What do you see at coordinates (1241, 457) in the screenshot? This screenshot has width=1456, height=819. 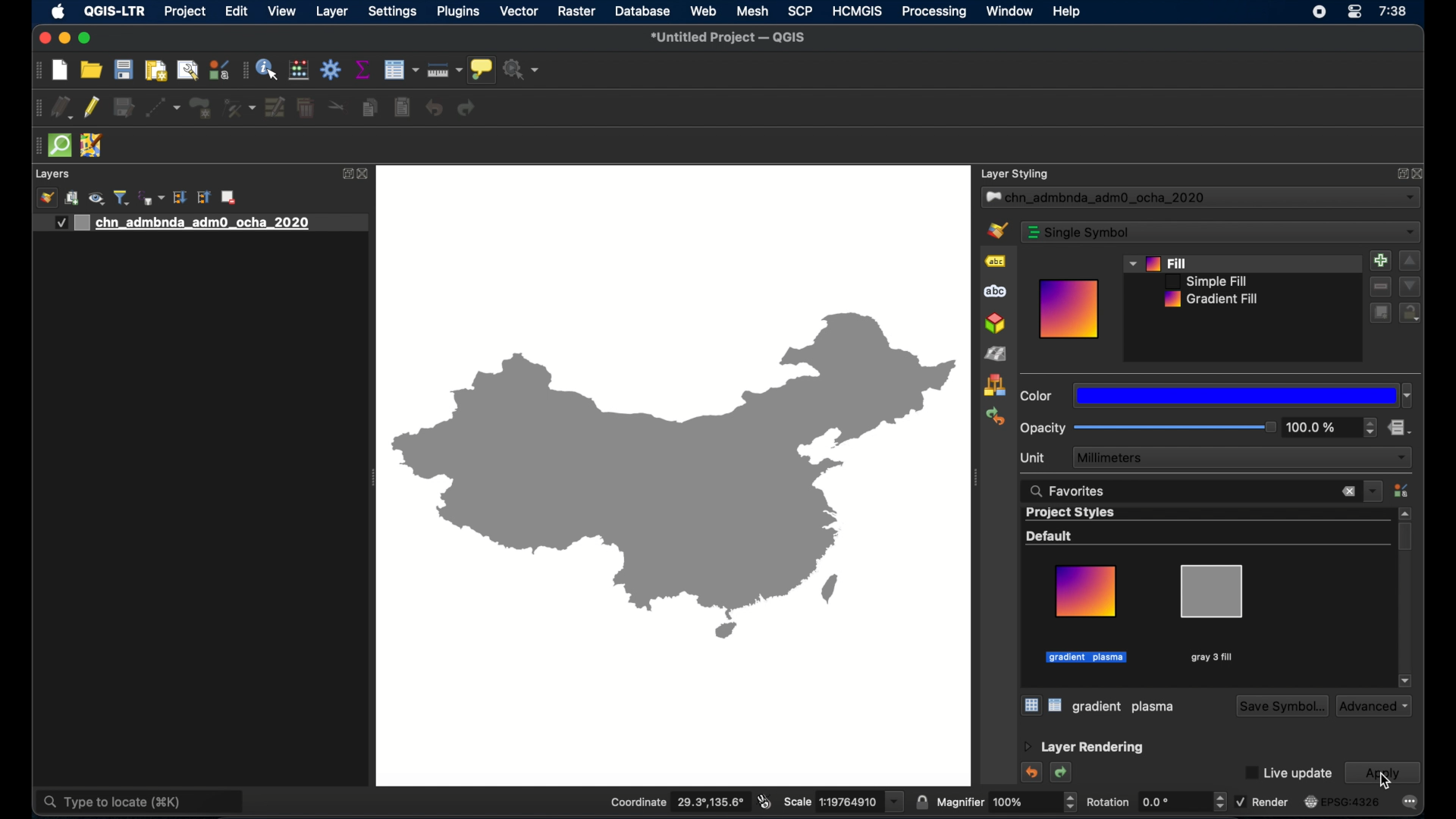 I see `millimeters` at bounding box center [1241, 457].